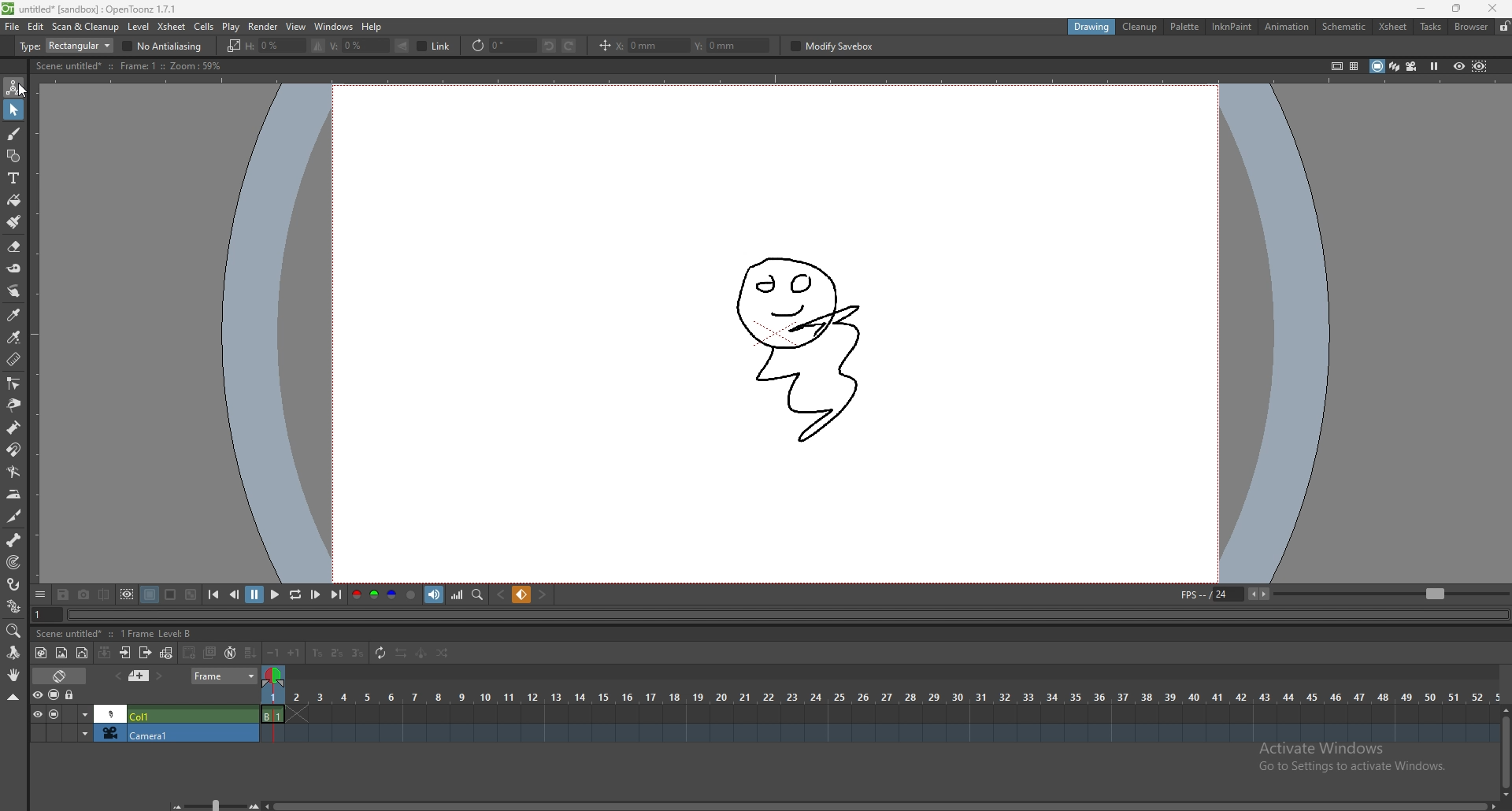 The image size is (1512, 811). I want to click on previous key, so click(502, 594).